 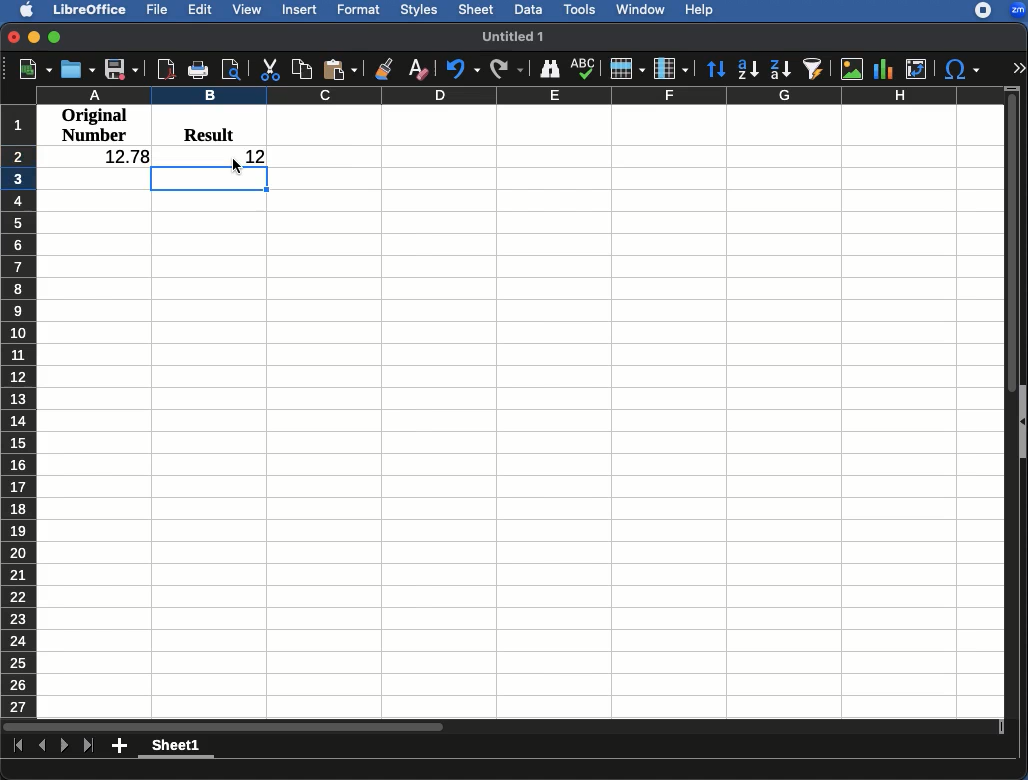 What do you see at coordinates (714, 70) in the screenshot?
I see `Sort` at bounding box center [714, 70].